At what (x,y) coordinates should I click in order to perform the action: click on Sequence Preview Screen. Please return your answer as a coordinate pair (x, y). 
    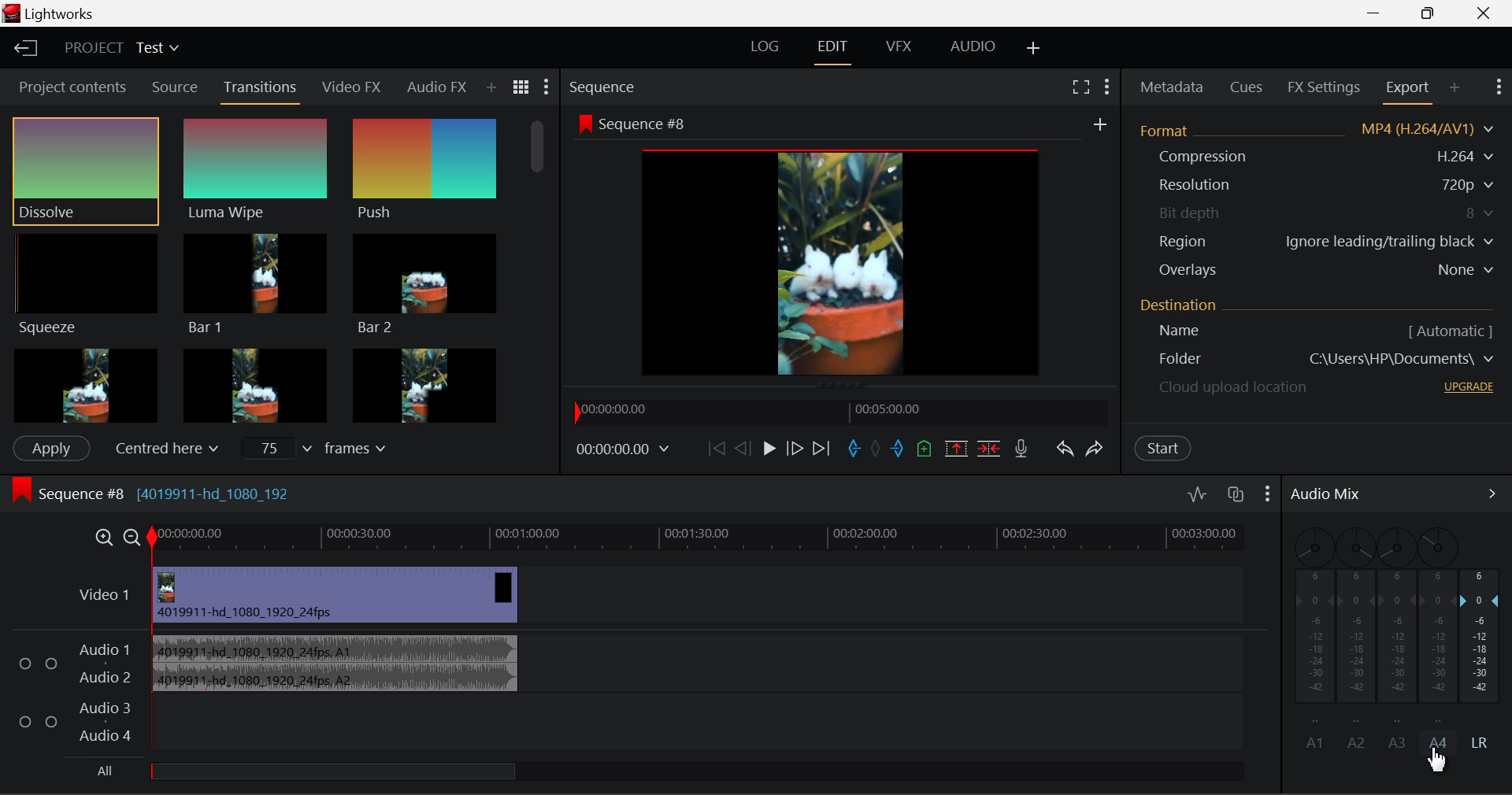
    Looking at the image, I should click on (843, 247).